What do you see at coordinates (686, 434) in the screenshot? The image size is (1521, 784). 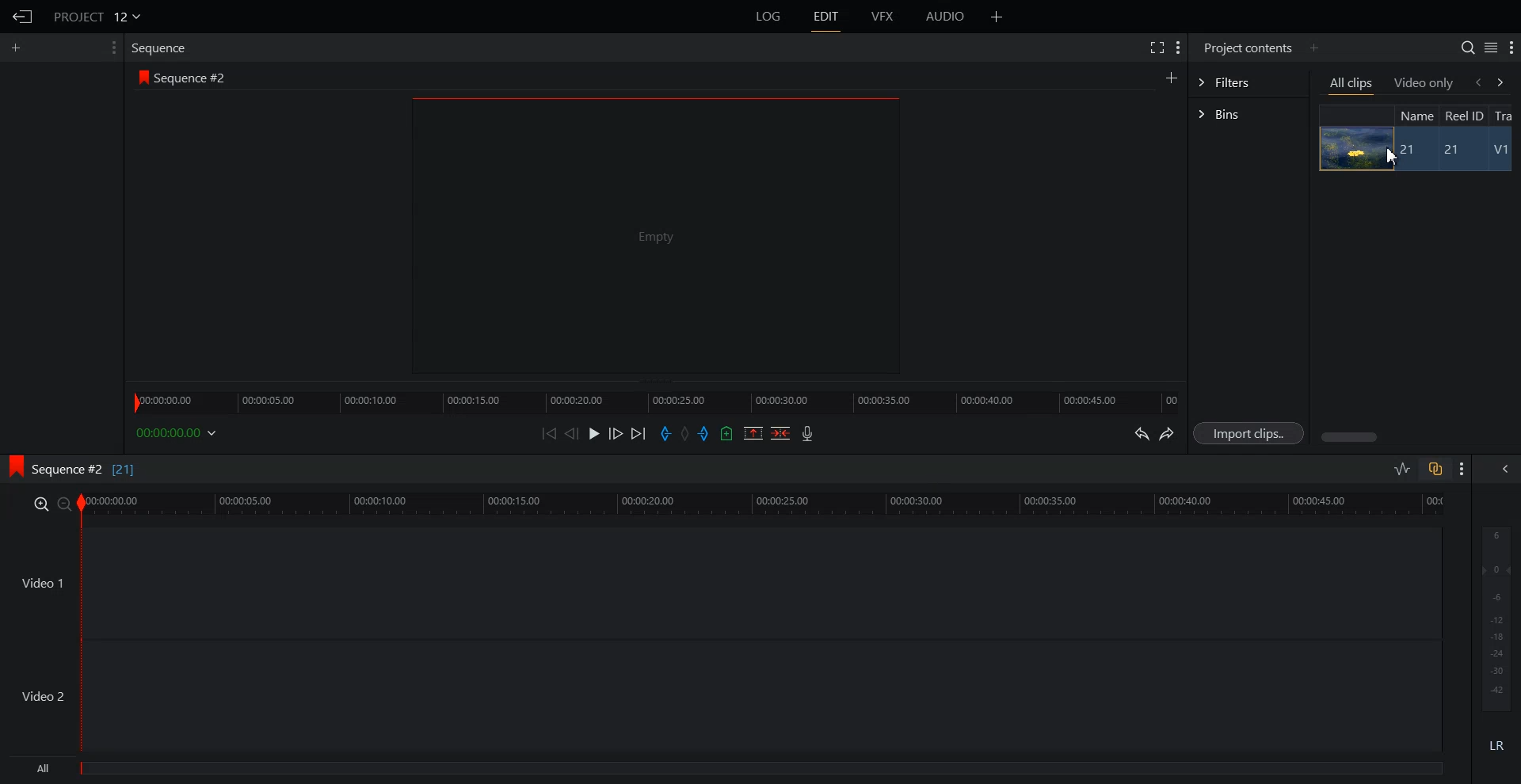 I see `Clear all marks` at bounding box center [686, 434].